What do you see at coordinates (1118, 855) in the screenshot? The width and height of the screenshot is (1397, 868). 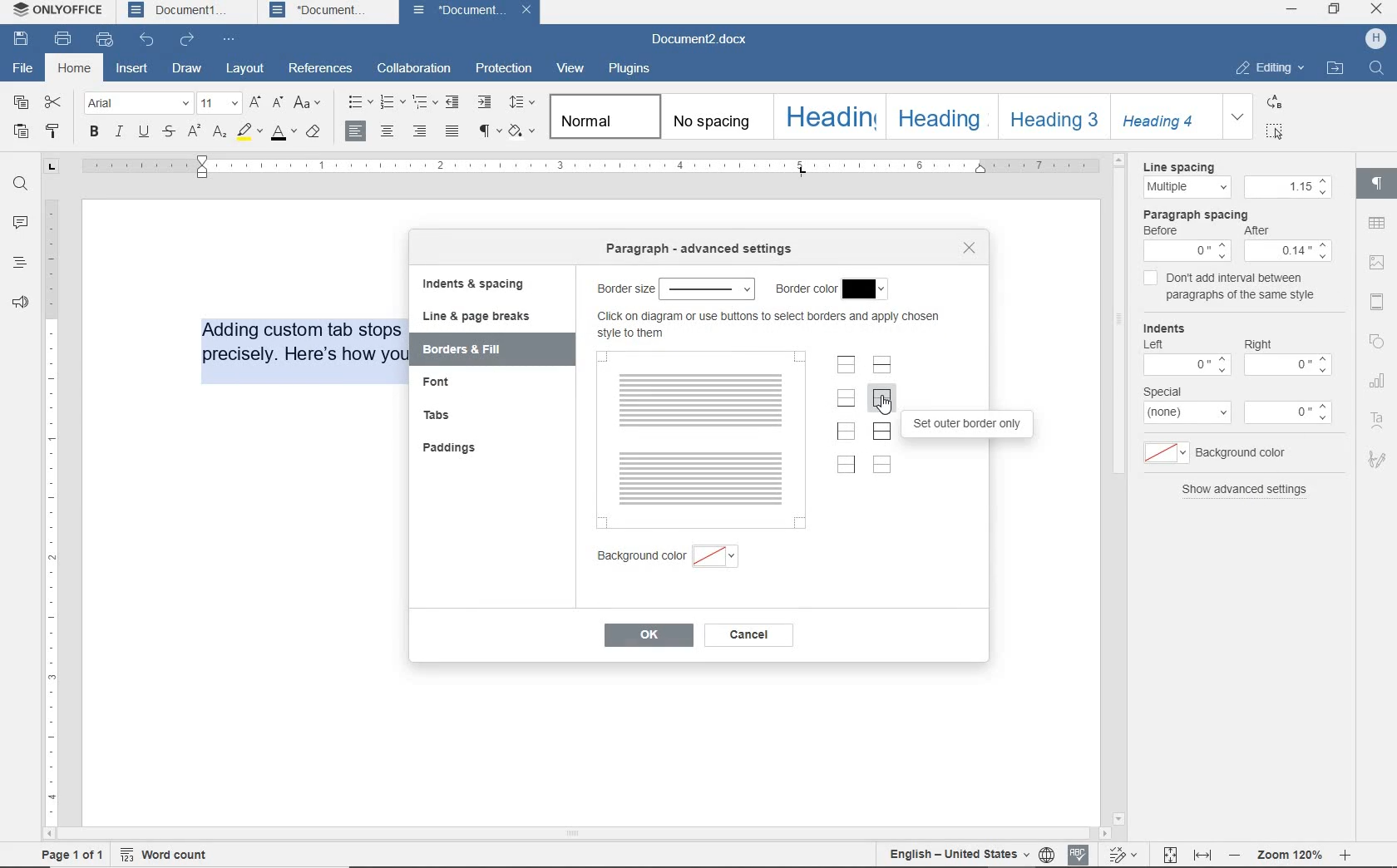 I see `track changes` at bounding box center [1118, 855].